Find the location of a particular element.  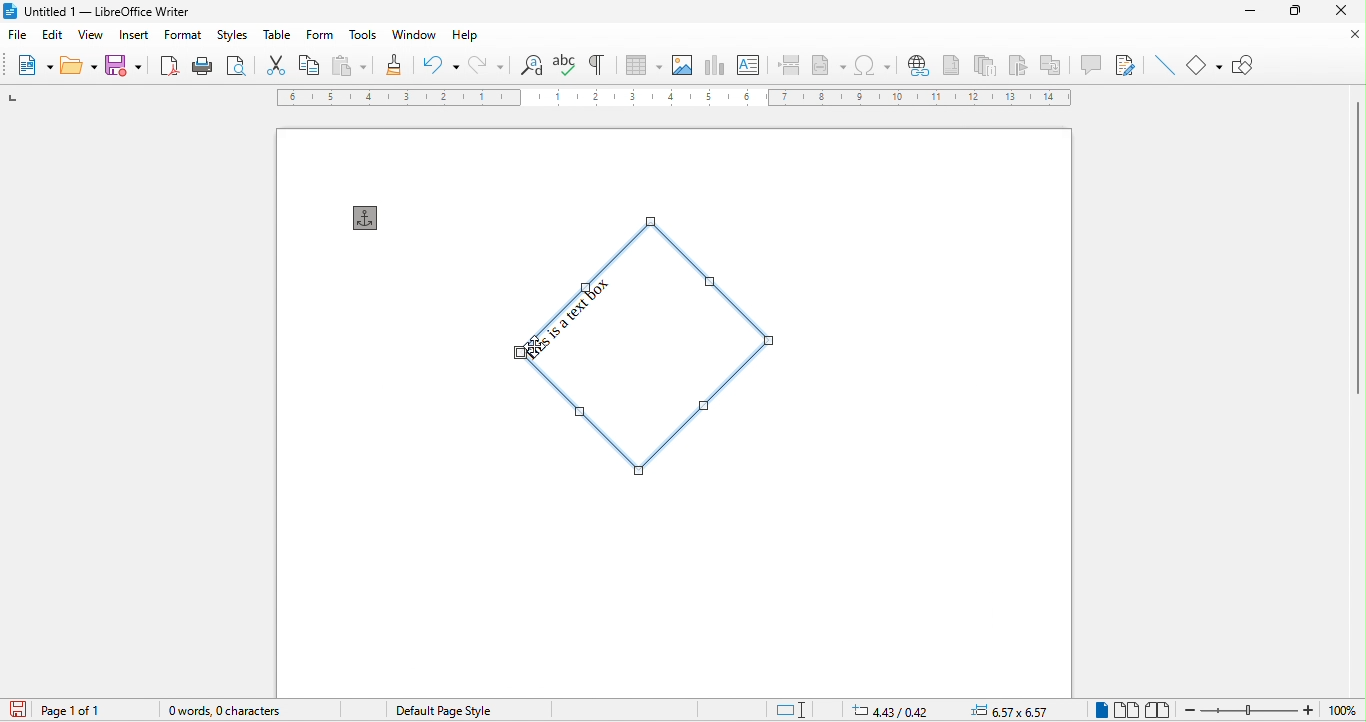

table is located at coordinates (643, 65).